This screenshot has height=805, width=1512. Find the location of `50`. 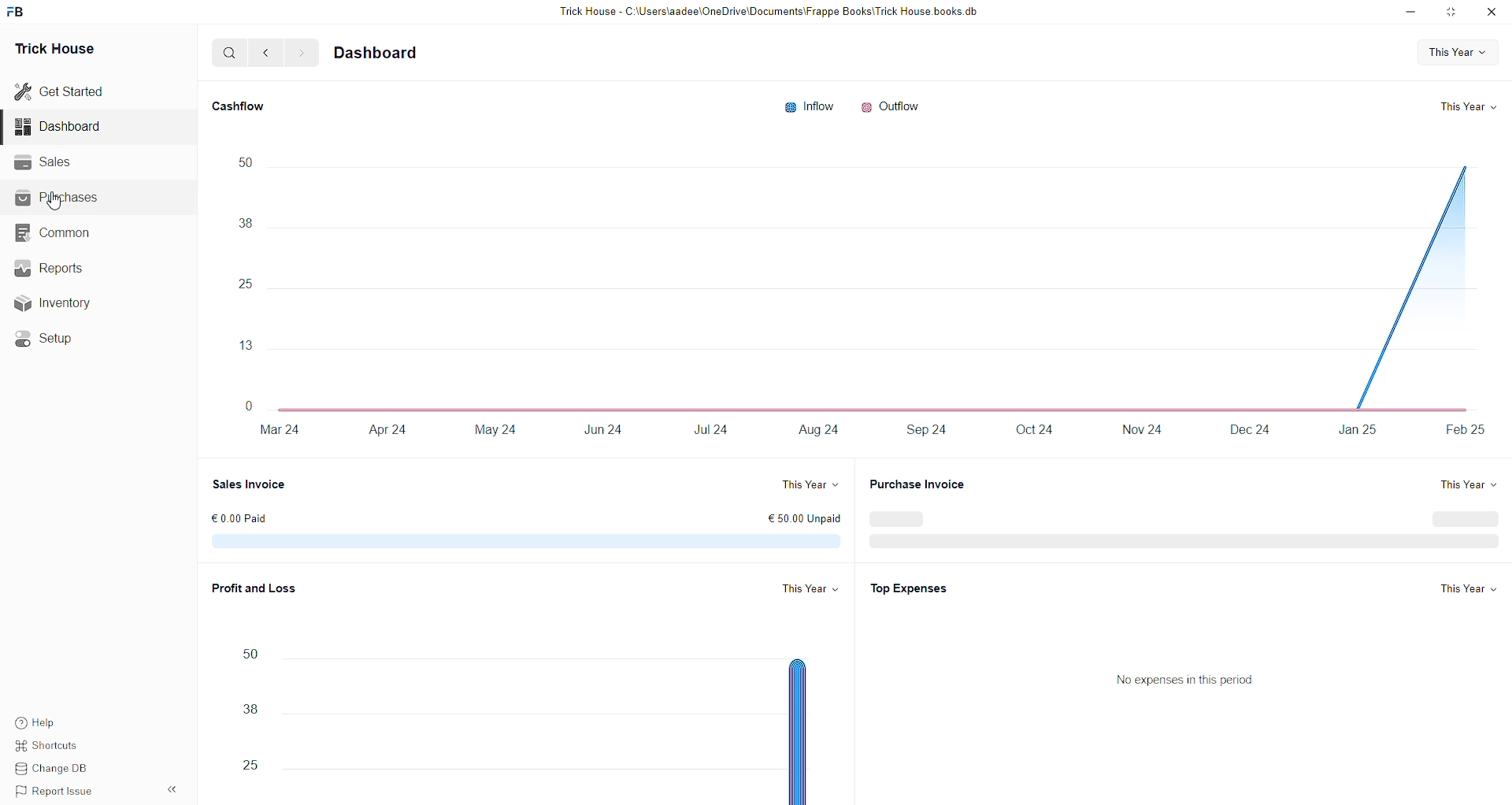

50 is located at coordinates (243, 161).